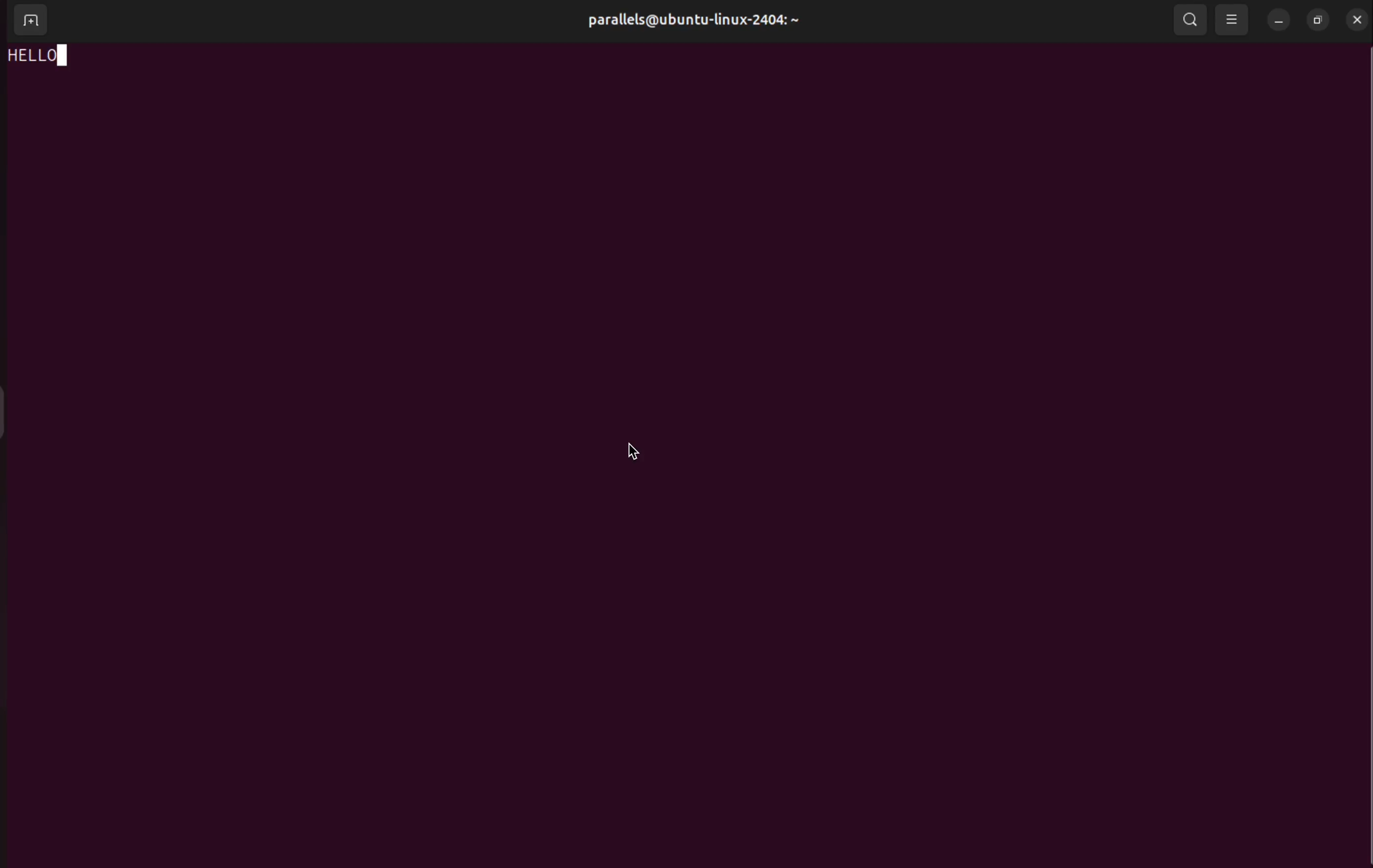  What do you see at coordinates (47, 56) in the screenshot?
I see `bash prompt` at bounding box center [47, 56].